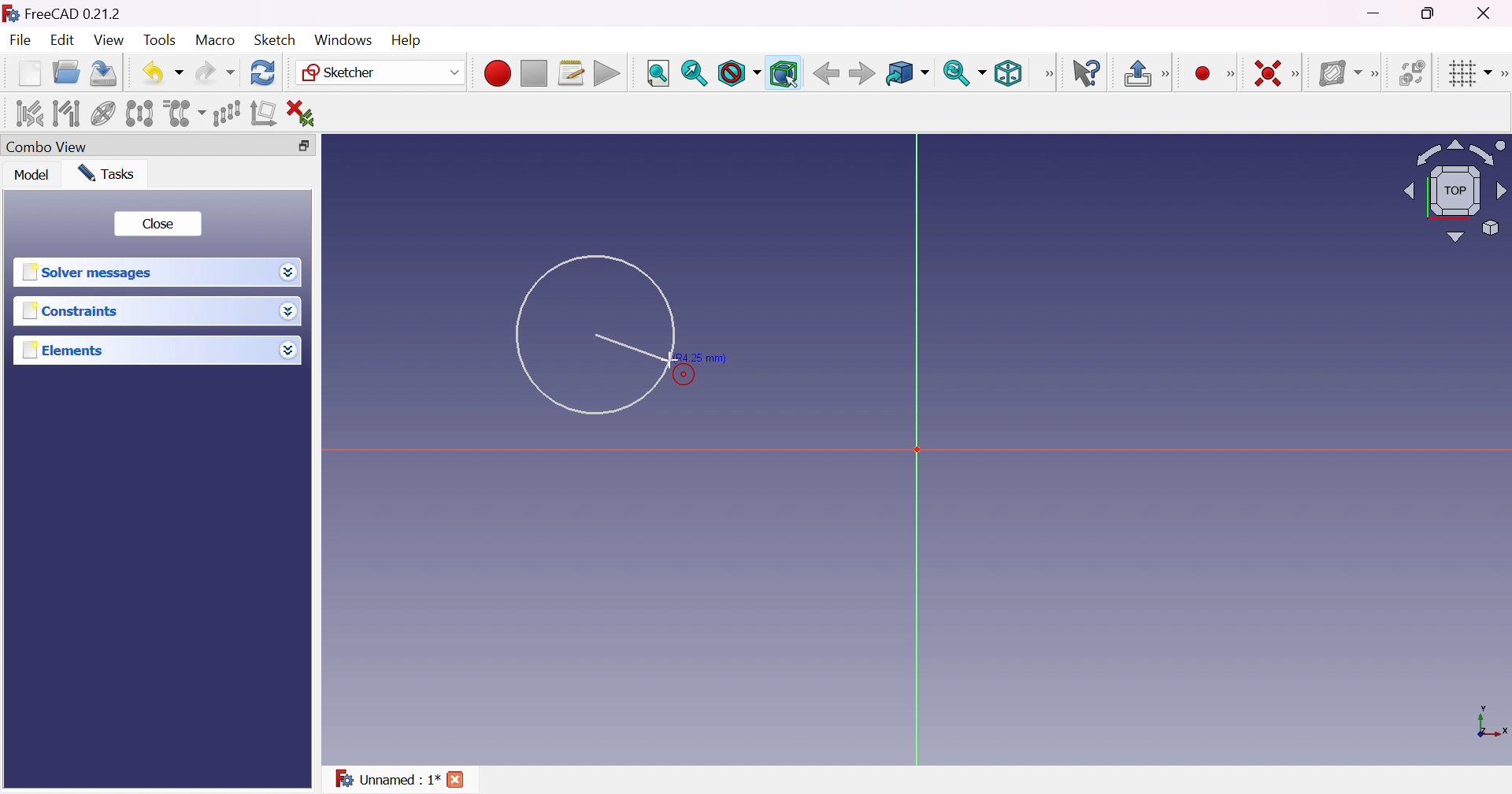 This screenshot has width=1512, height=794. Describe the element at coordinates (215, 72) in the screenshot. I see `Redo` at that location.